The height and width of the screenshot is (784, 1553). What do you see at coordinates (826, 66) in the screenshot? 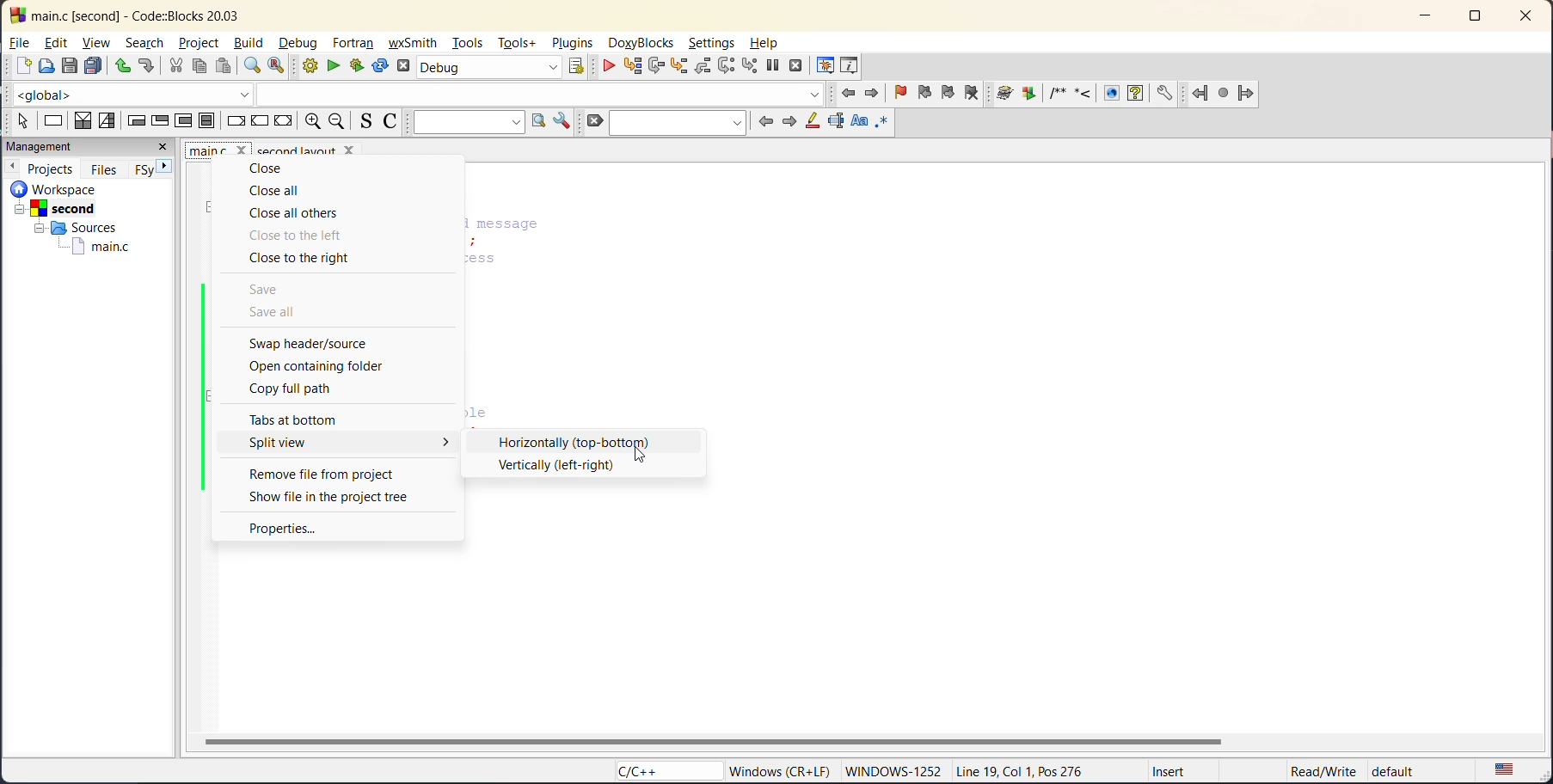
I see `debugging windows` at bounding box center [826, 66].